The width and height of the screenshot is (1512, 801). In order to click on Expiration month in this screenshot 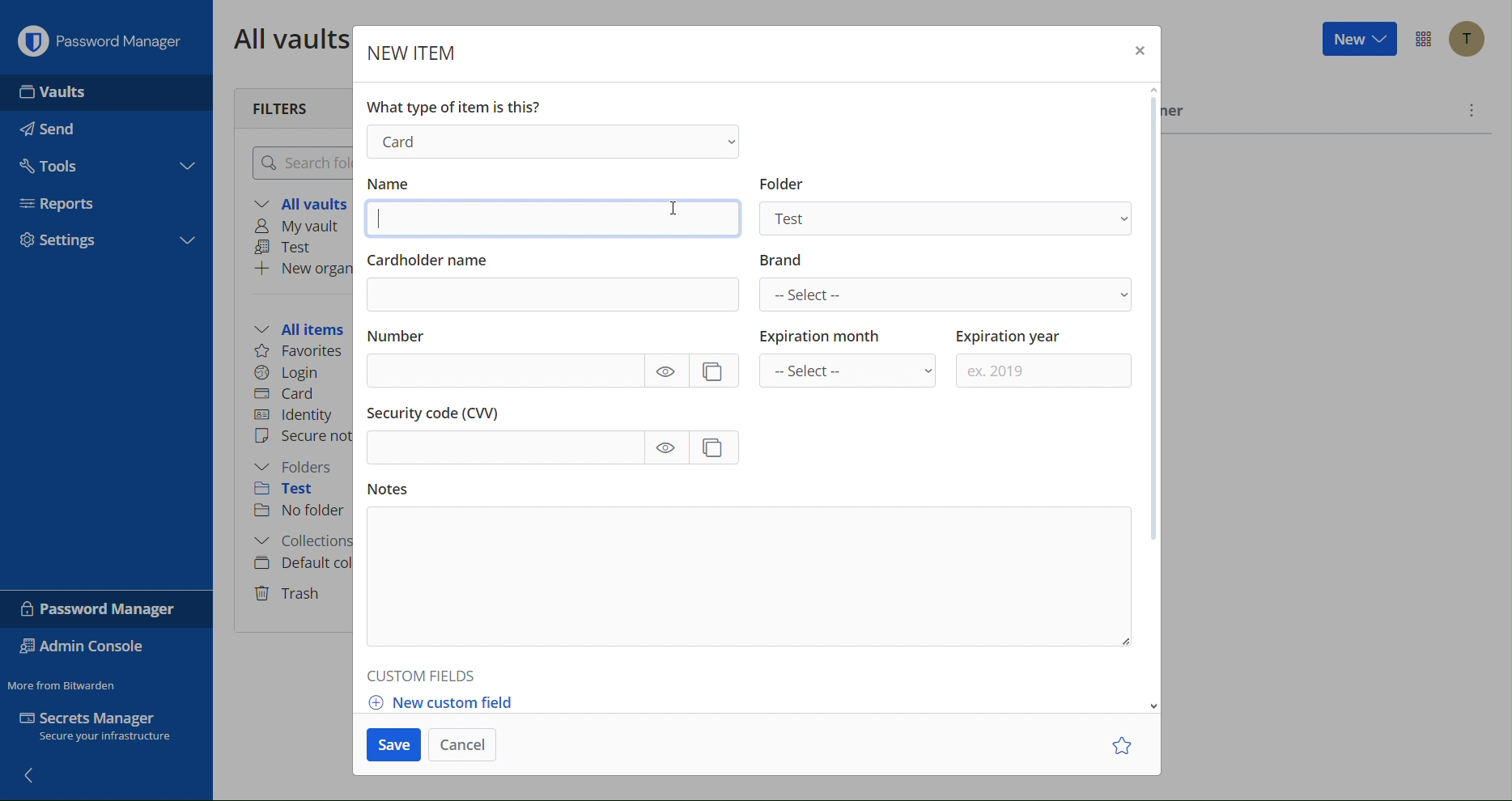, I will do `click(848, 358)`.